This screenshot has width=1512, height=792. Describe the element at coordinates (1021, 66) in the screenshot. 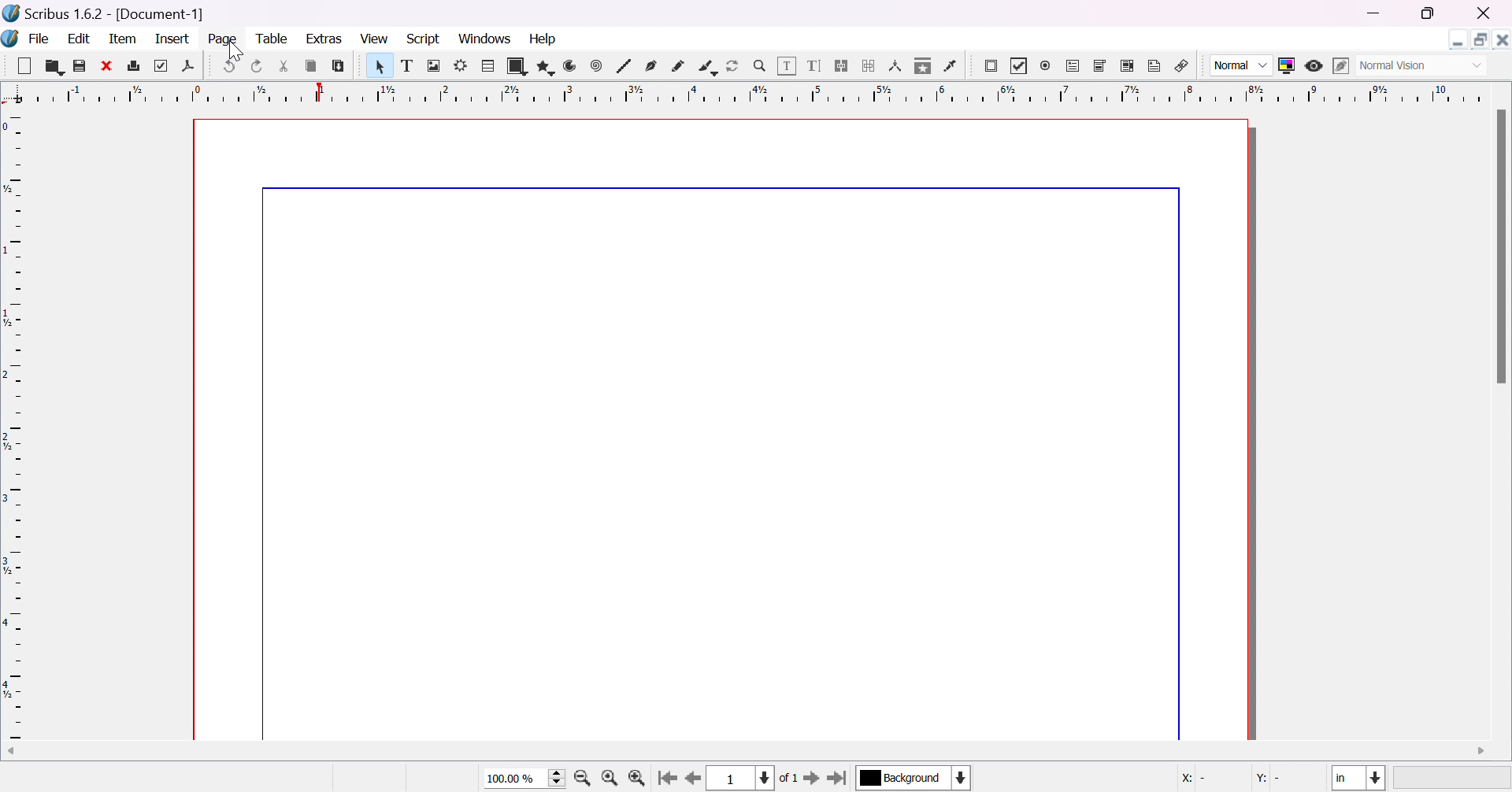

I see `PDF checkbox` at that location.